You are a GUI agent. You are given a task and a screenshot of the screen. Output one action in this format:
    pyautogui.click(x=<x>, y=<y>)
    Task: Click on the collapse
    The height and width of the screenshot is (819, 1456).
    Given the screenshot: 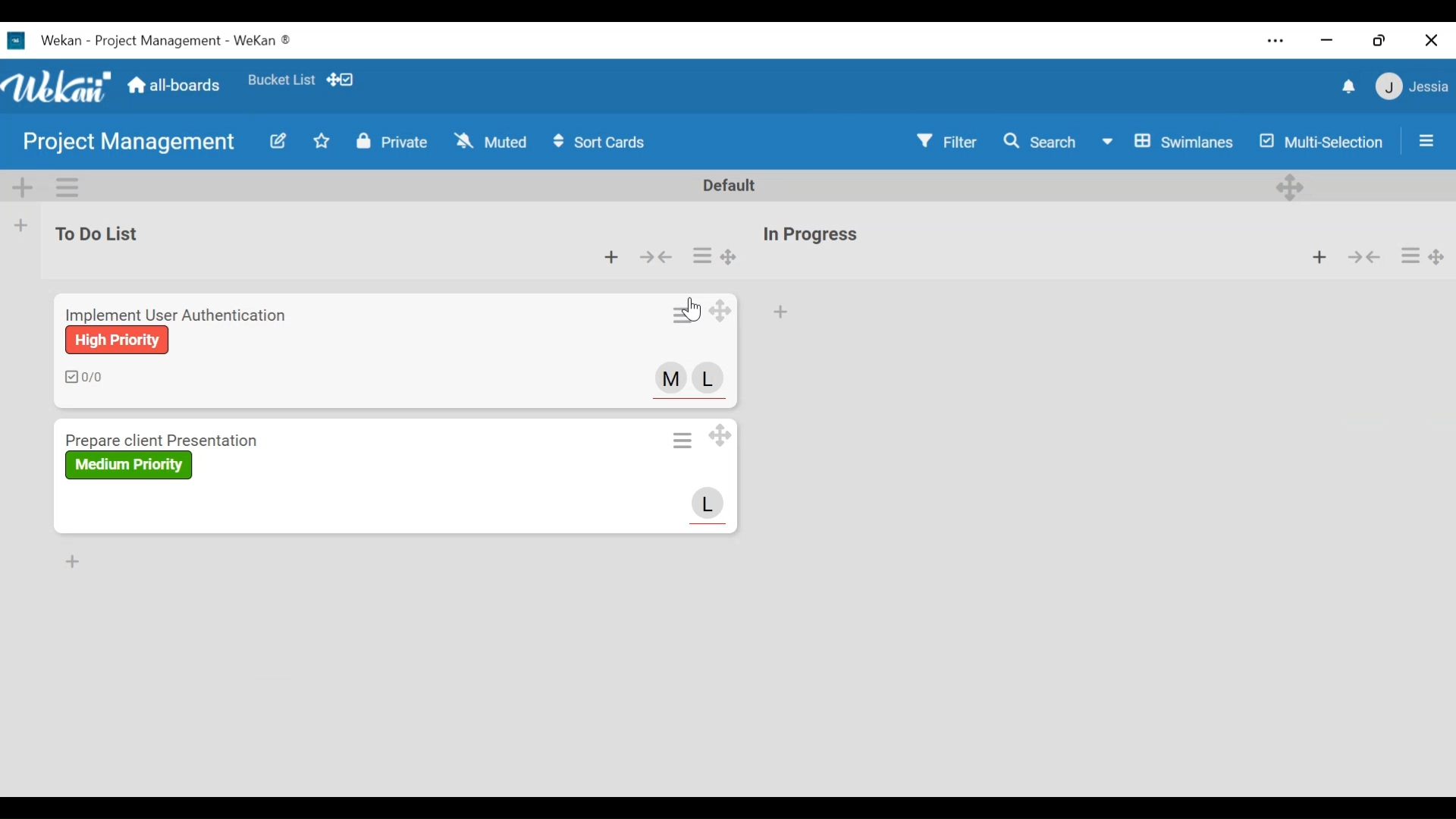 What is the action you would take?
    pyautogui.click(x=1367, y=256)
    